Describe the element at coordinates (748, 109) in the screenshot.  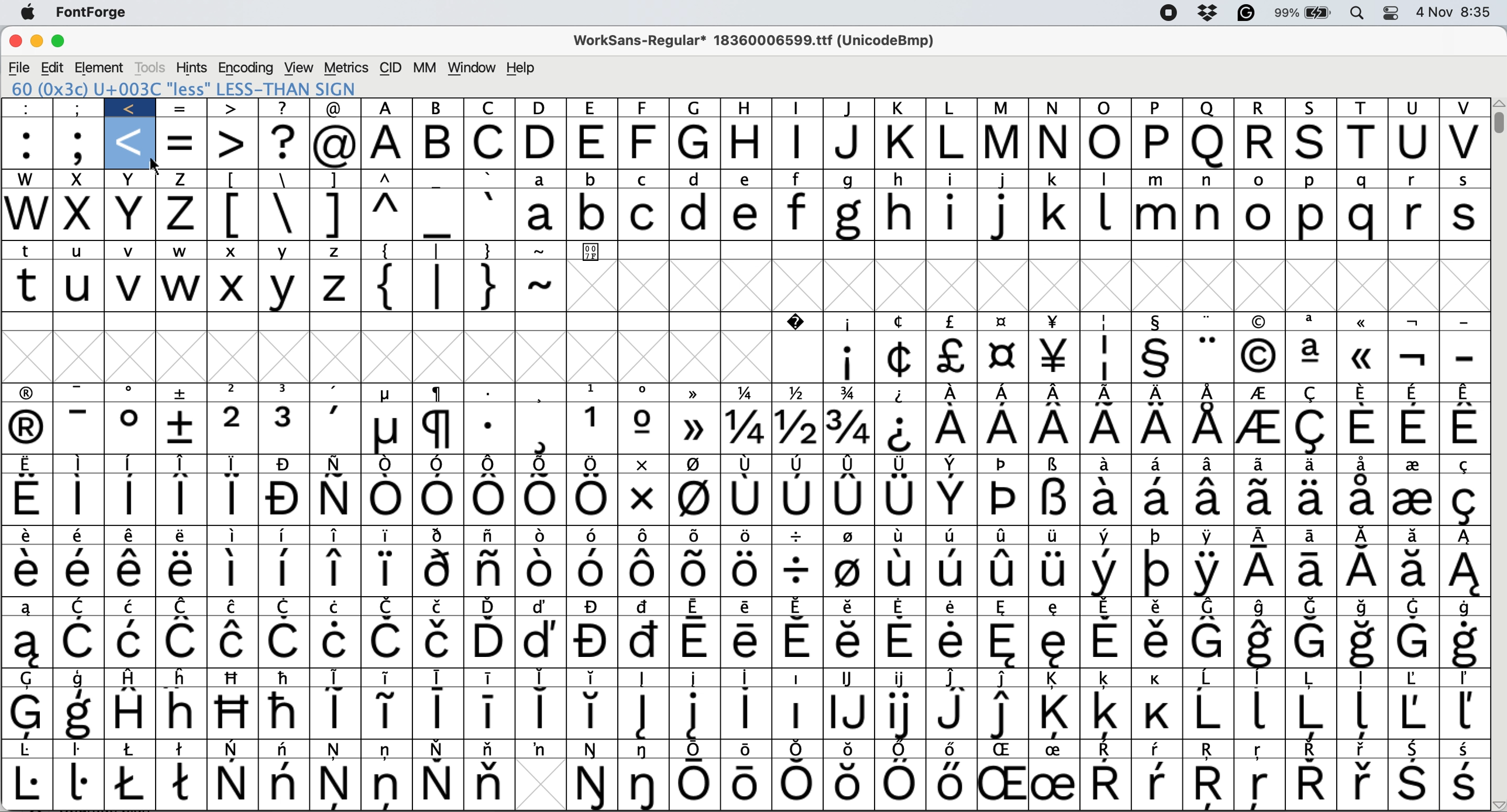
I see `h` at that location.